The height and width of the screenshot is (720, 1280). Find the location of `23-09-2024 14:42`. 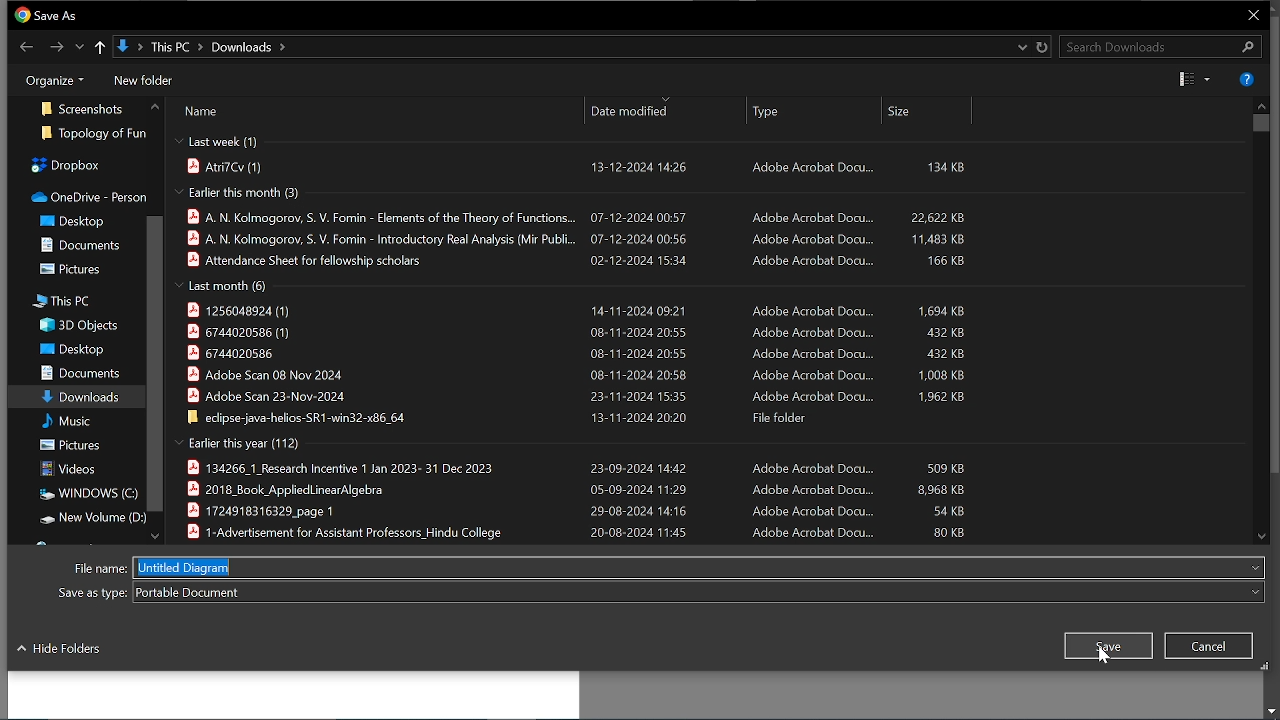

23-09-2024 14:42 is located at coordinates (632, 468).